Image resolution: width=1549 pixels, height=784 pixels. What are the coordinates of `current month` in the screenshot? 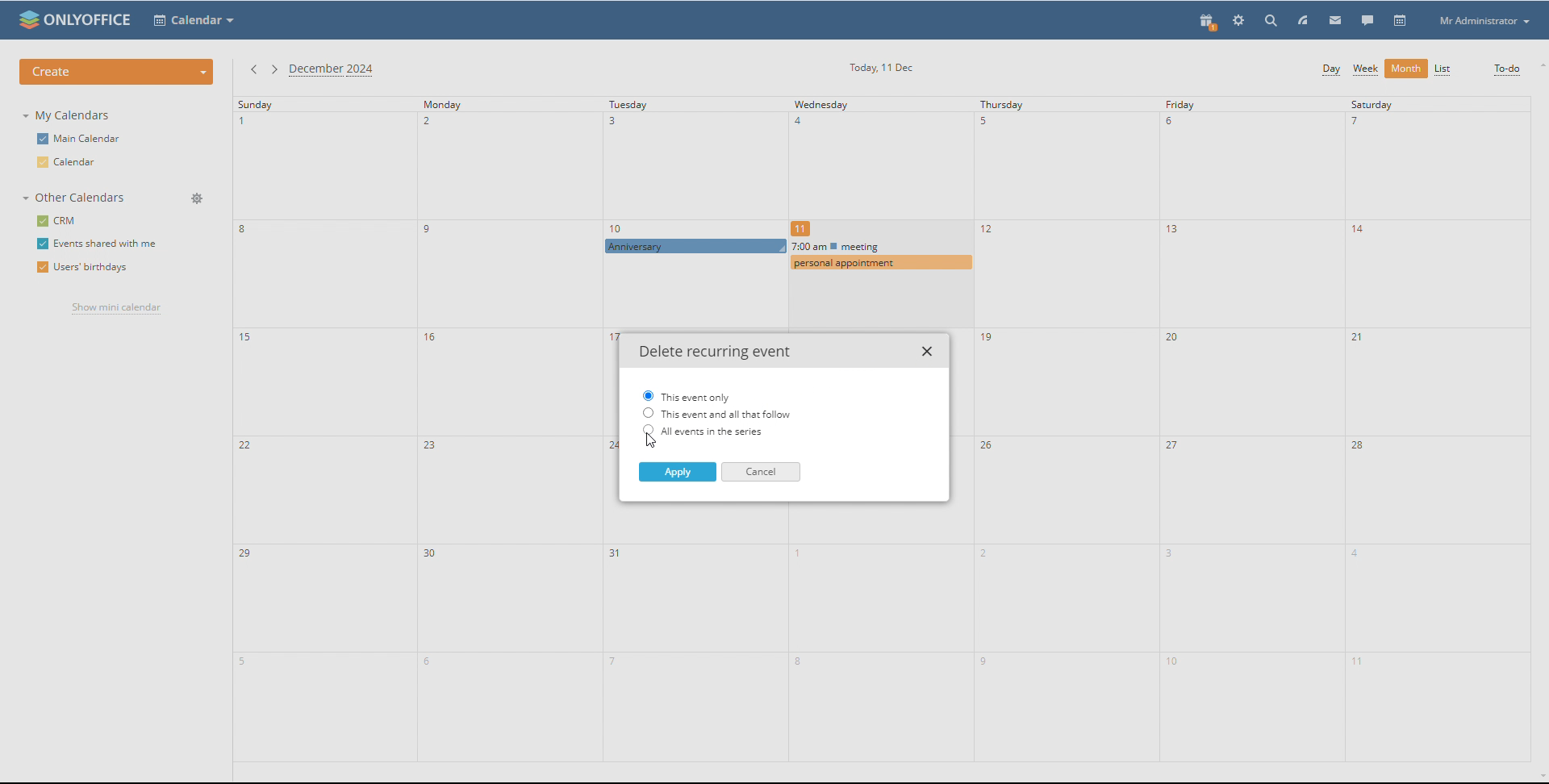 It's located at (335, 71).